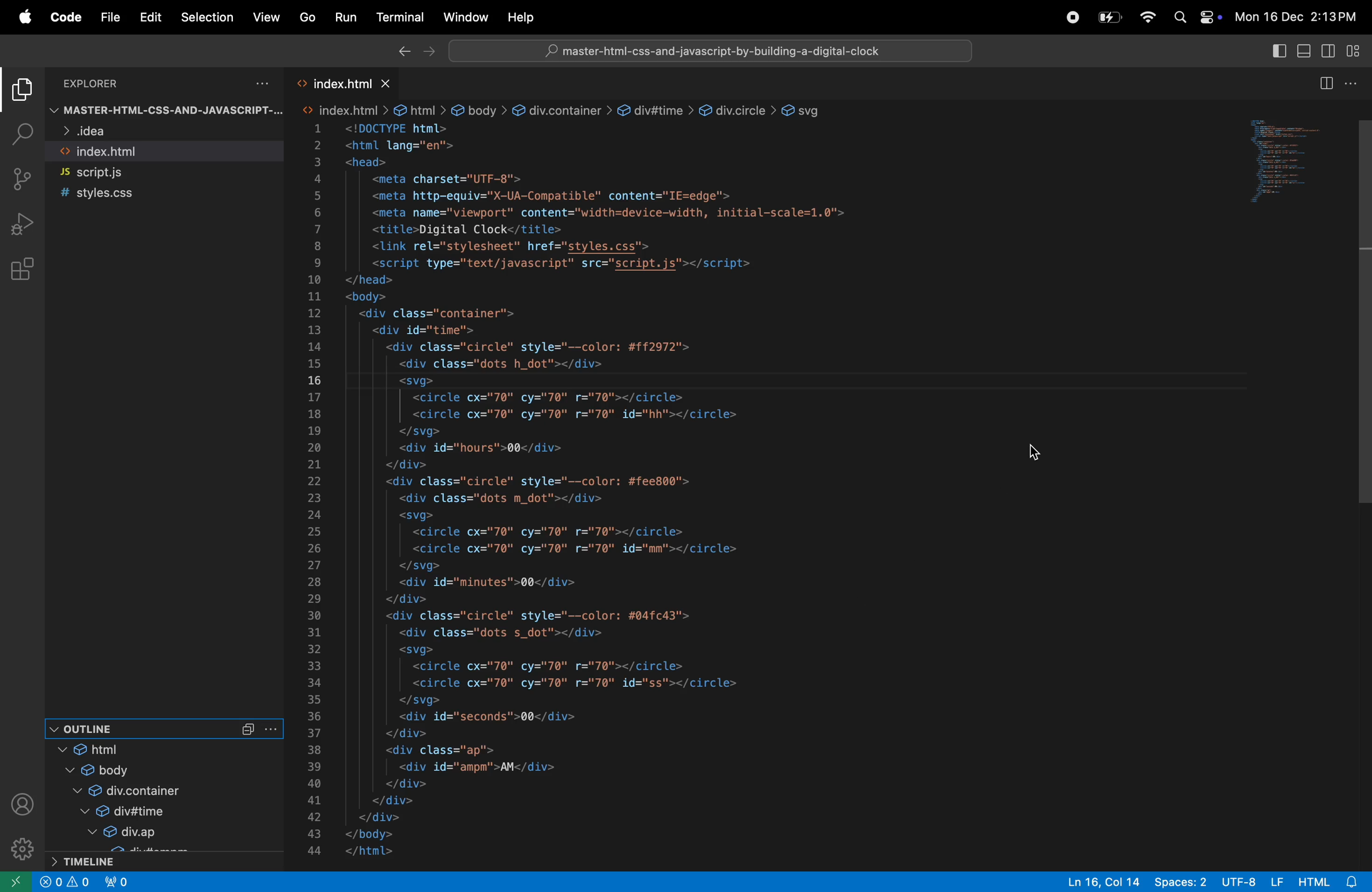 This screenshot has width=1372, height=892. What do you see at coordinates (1356, 50) in the screenshot?
I see `customize layout` at bounding box center [1356, 50].